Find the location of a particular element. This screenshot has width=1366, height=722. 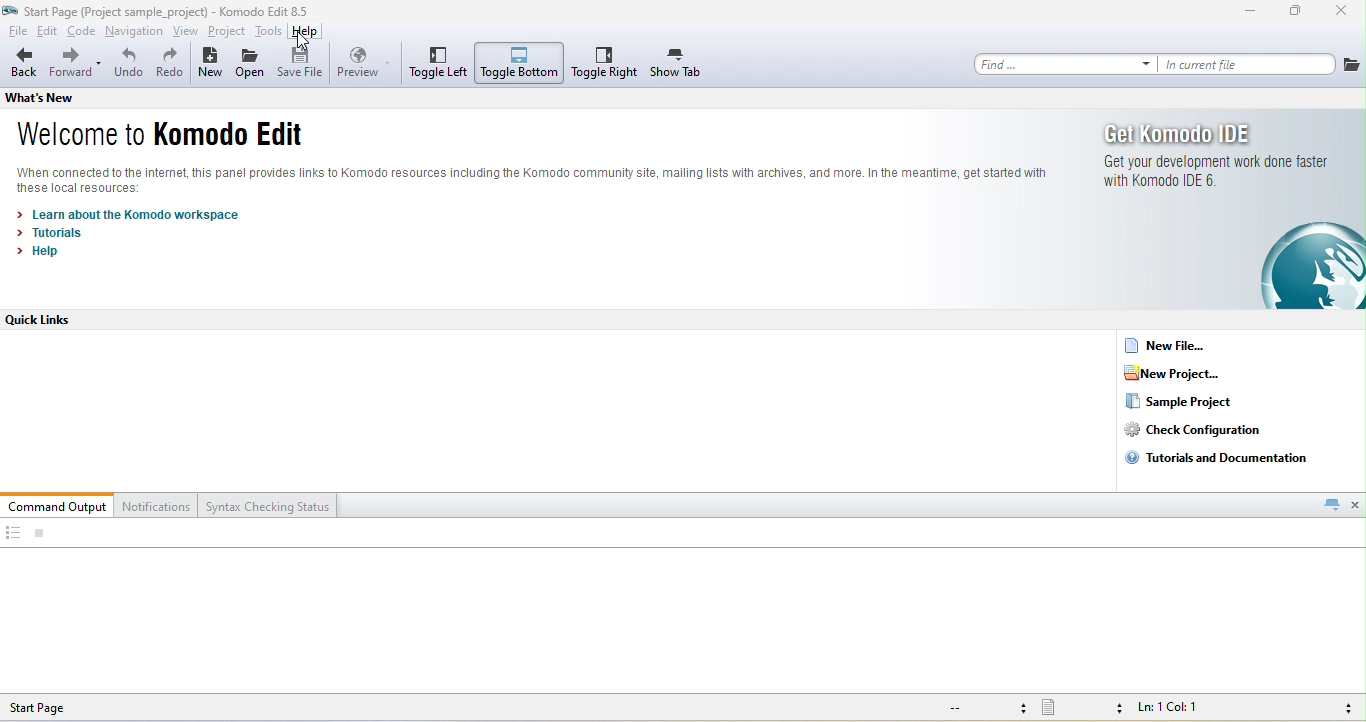

tab is located at coordinates (1331, 504).